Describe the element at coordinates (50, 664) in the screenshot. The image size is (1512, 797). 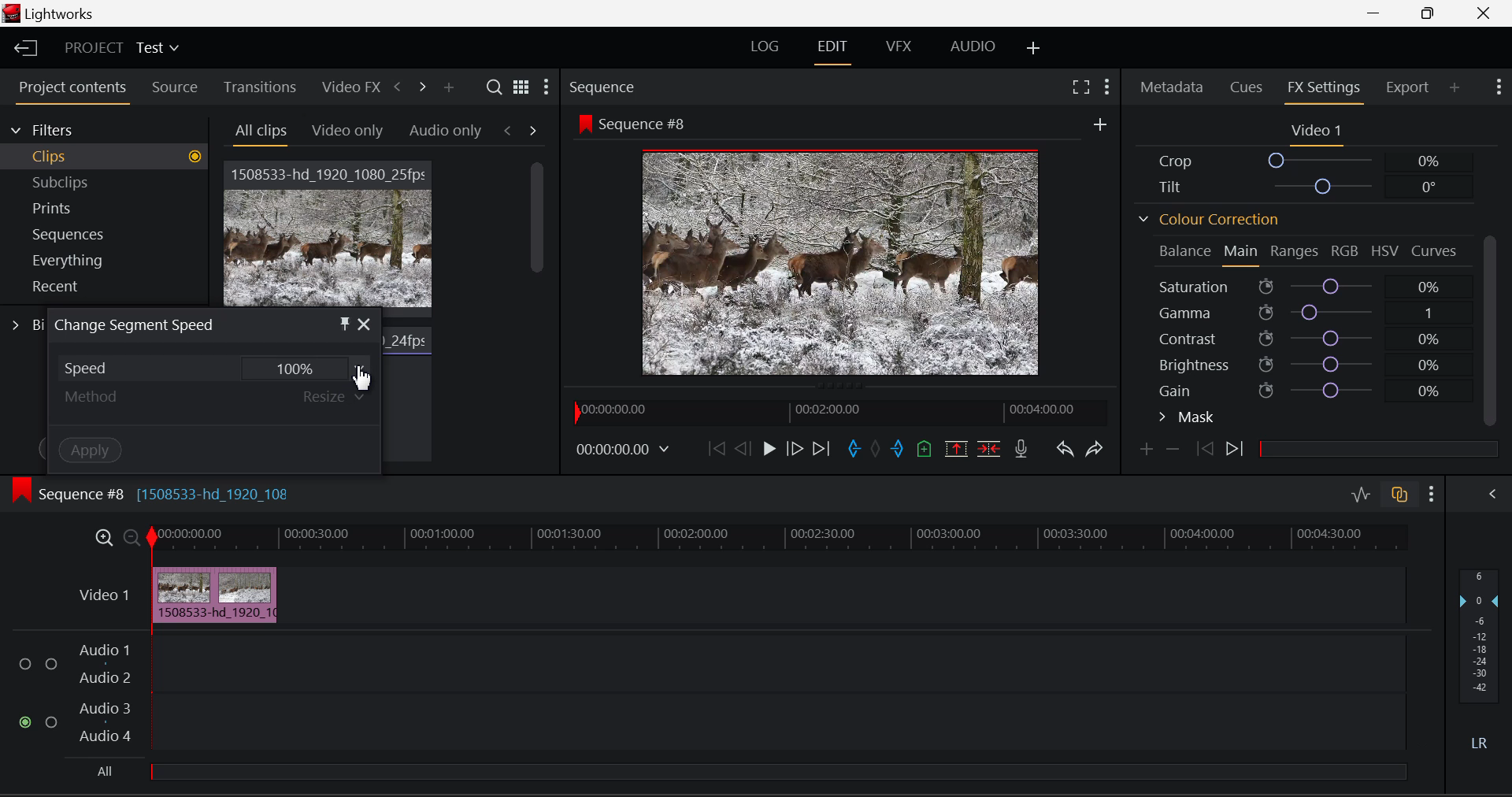
I see `Audio Input Checkbox` at that location.